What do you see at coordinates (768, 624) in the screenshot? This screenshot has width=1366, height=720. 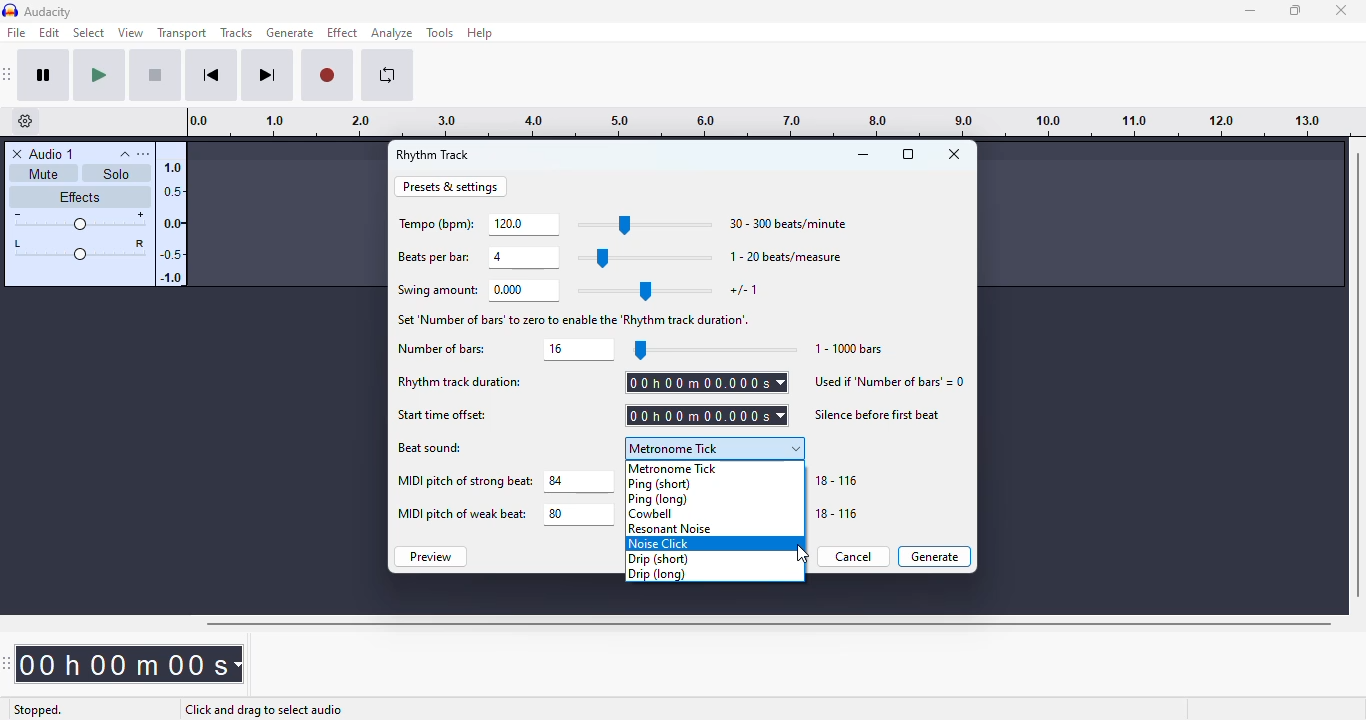 I see `horizontal scroll bar` at bounding box center [768, 624].